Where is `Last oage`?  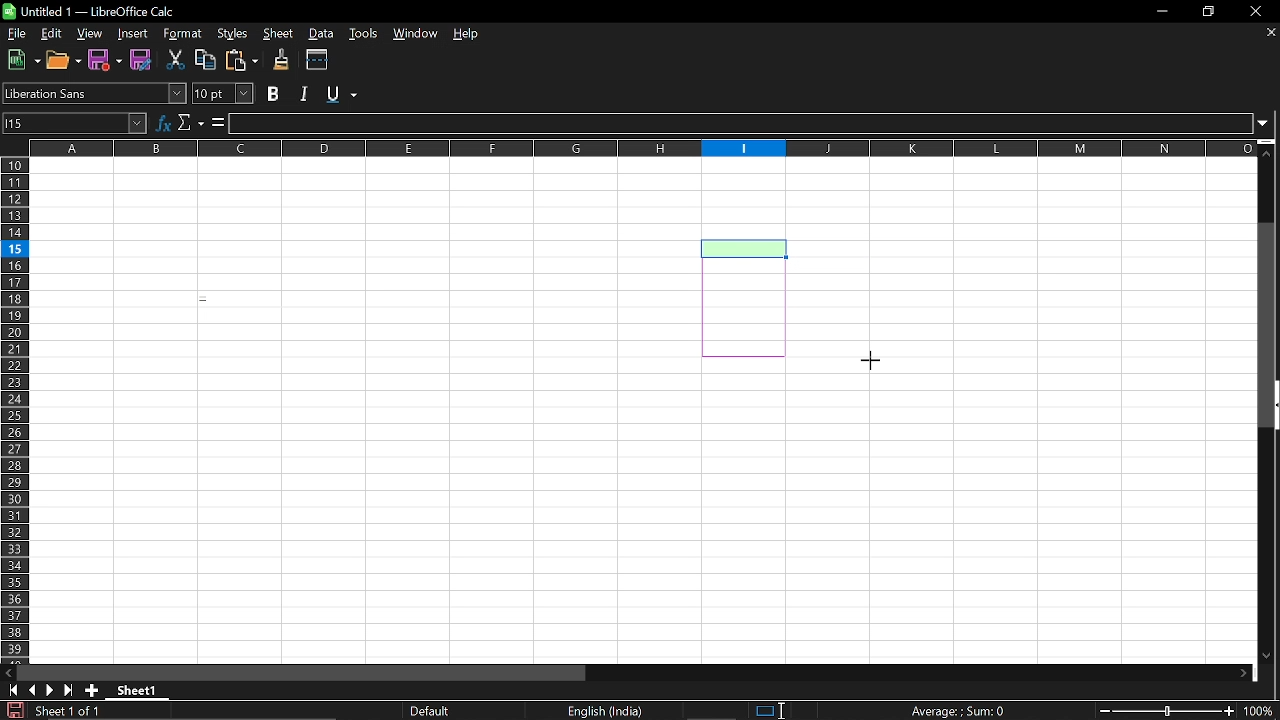 Last oage is located at coordinates (70, 691).